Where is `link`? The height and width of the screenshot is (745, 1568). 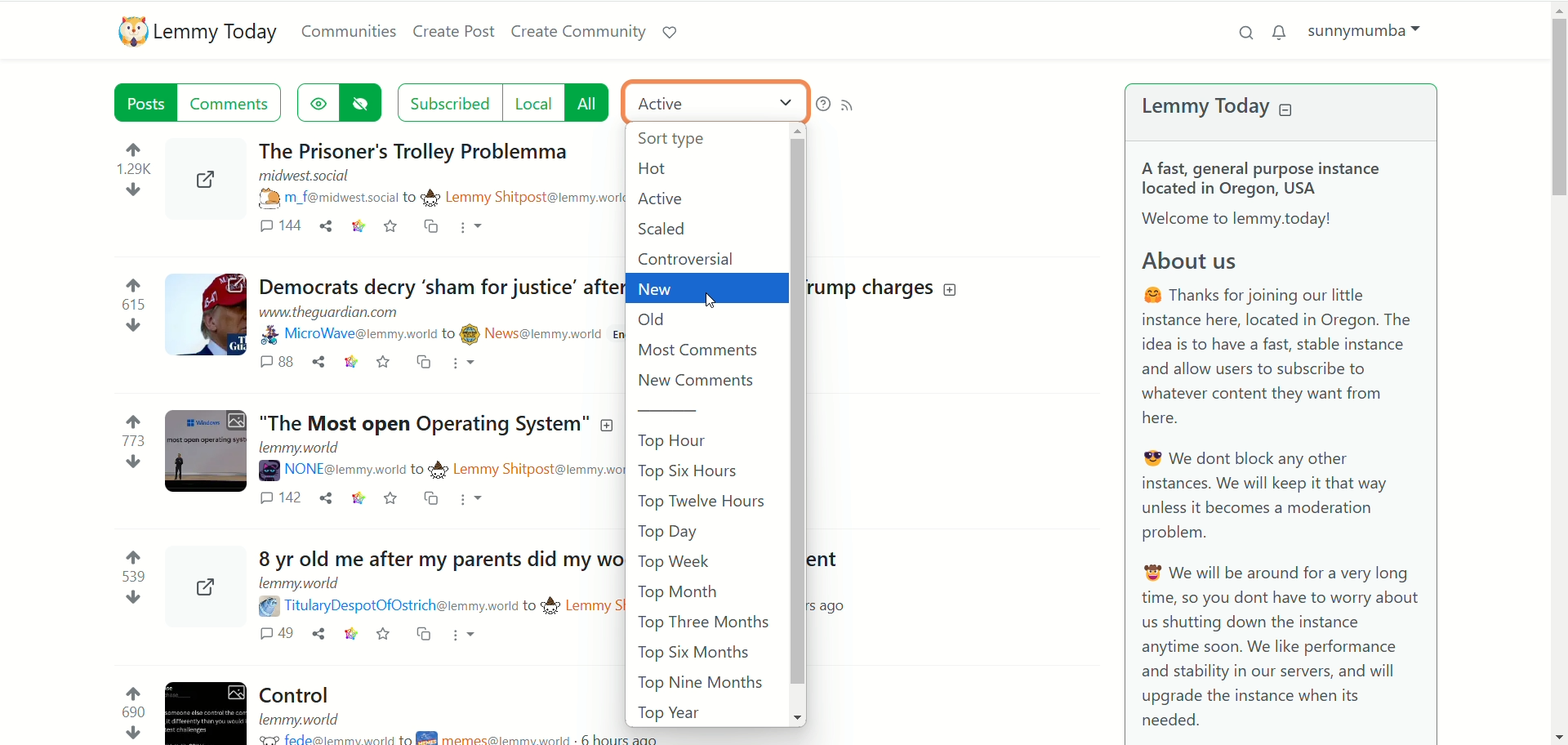
link is located at coordinates (357, 225).